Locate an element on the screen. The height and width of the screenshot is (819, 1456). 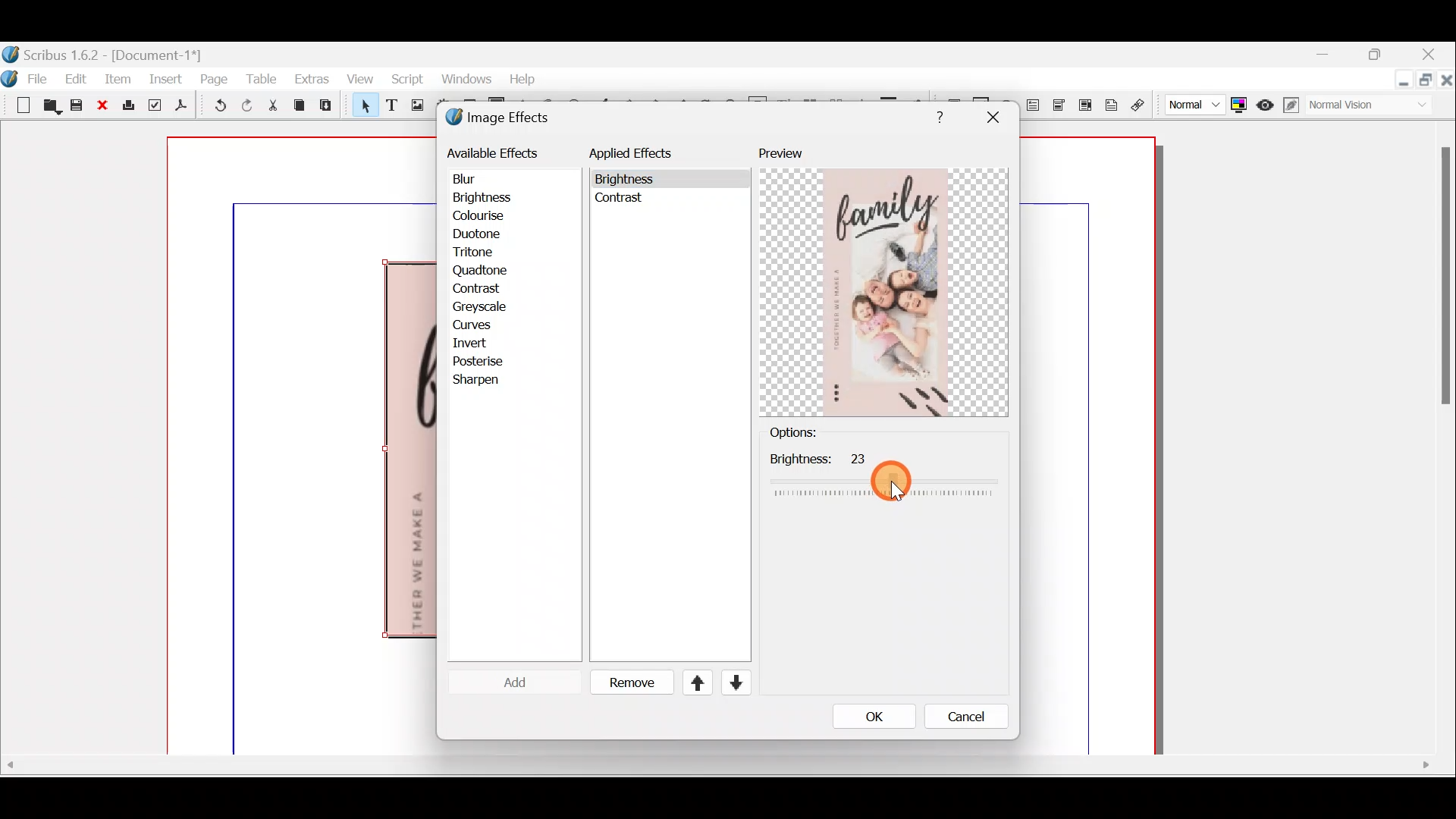
Close is located at coordinates (1447, 83).